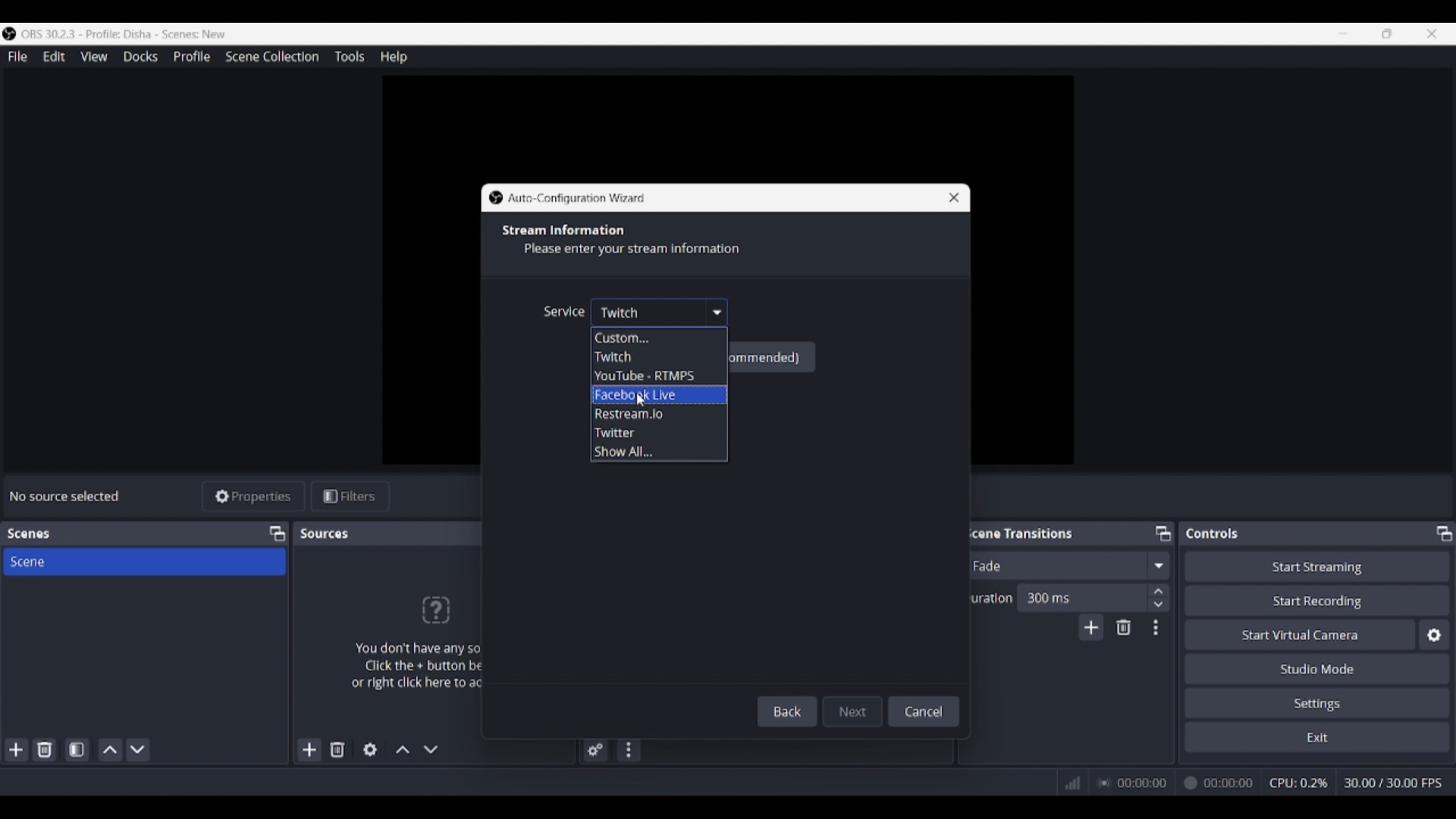 This screenshot has height=819, width=1456. What do you see at coordinates (987, 598) in the screenshot?
I see `Indicates duration` at bounding box center [987, 598].